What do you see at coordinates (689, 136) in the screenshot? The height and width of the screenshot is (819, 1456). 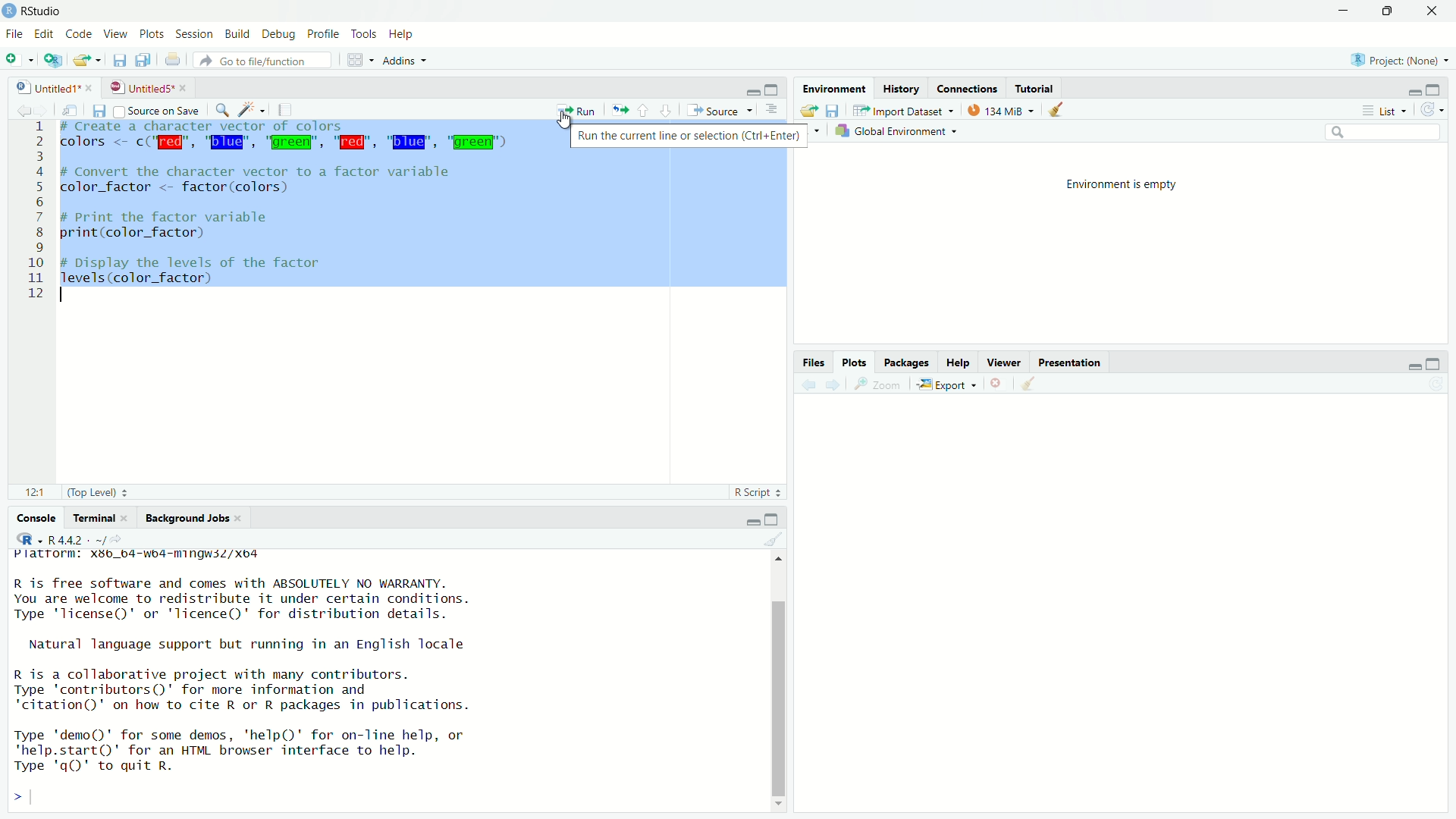 I see `run the current line or selection (Ctrl+Enter)` at bounding box center [689, 136].